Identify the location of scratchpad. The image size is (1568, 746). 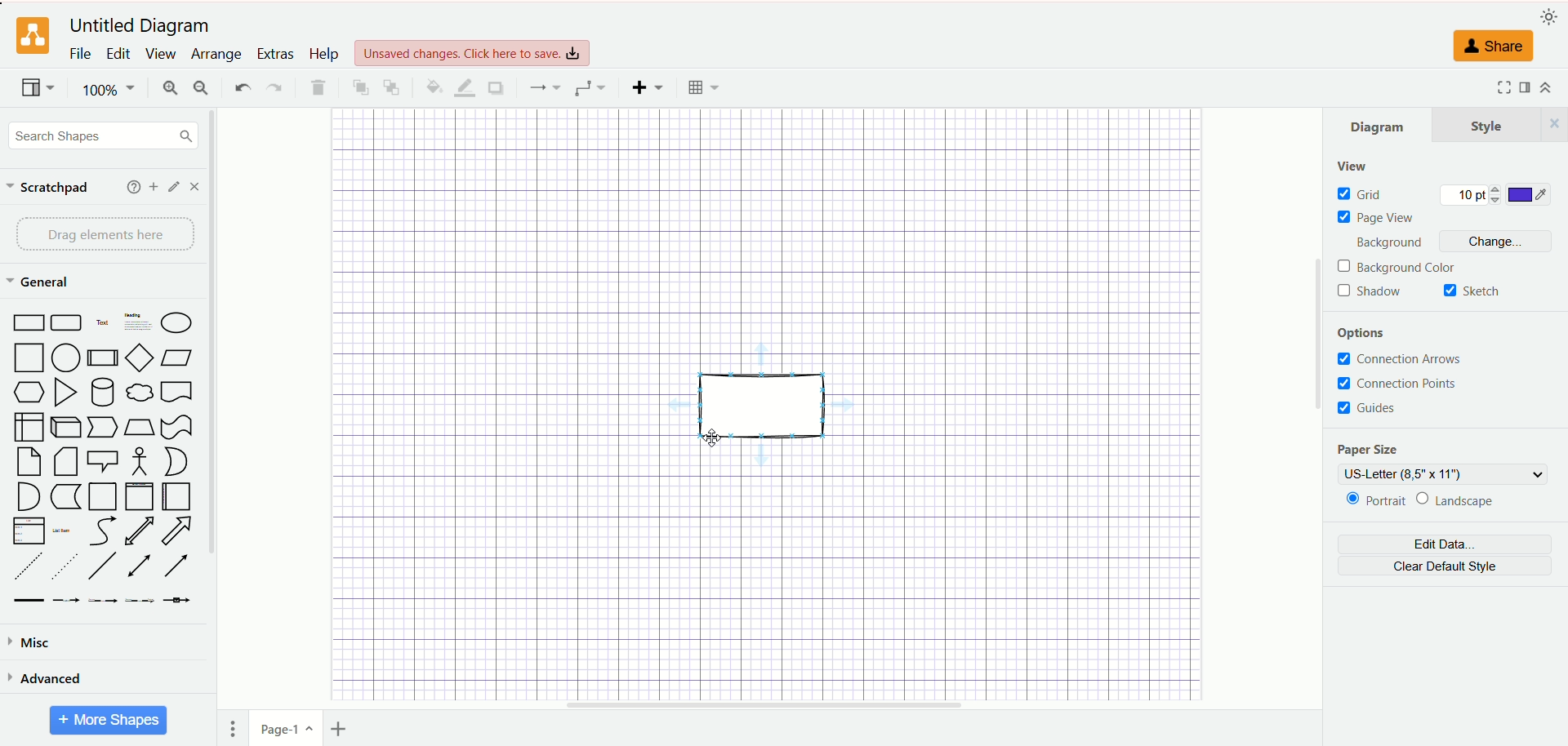
(47, 188).